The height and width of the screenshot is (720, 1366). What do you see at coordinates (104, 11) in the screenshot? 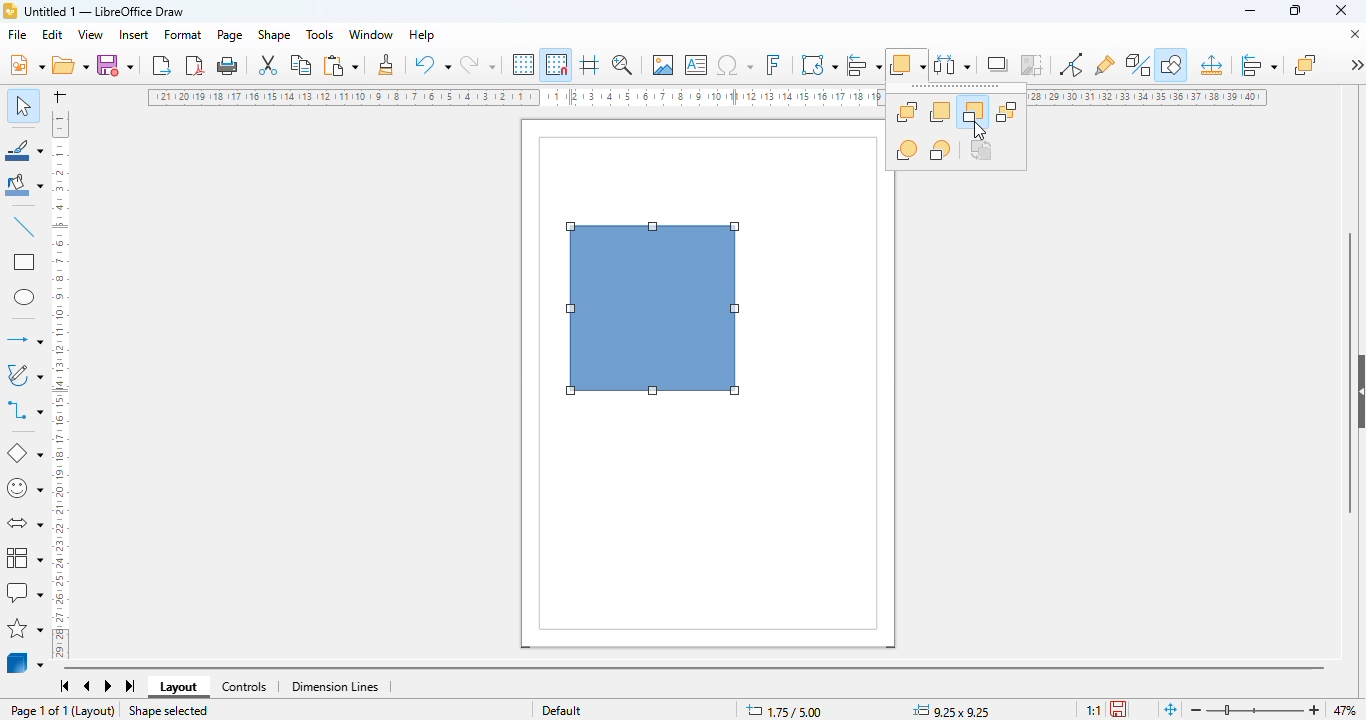
I see `title` at bounding box center [104, 11].